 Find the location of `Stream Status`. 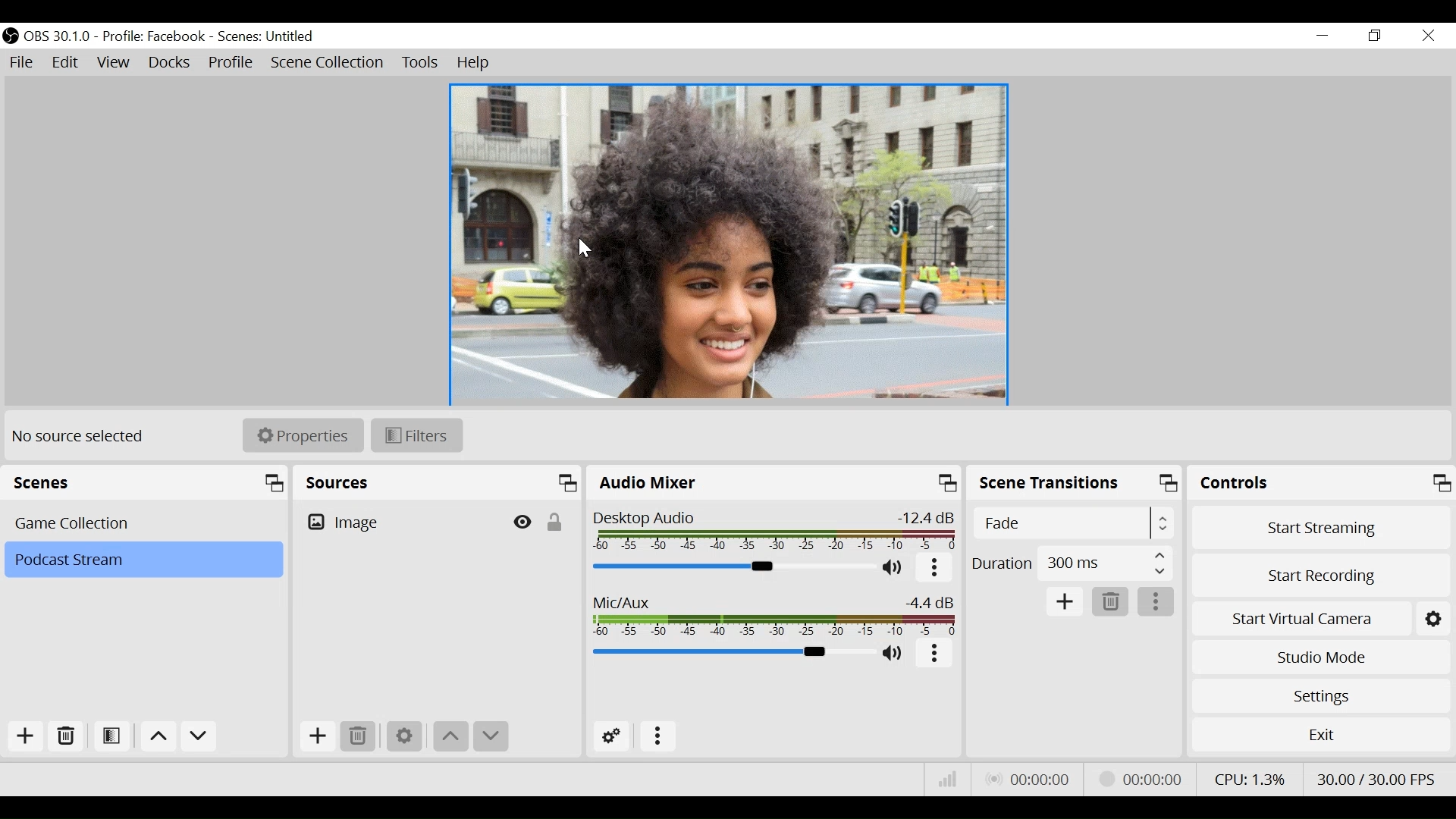

Stream Status is located at coordinates (1141, 780).